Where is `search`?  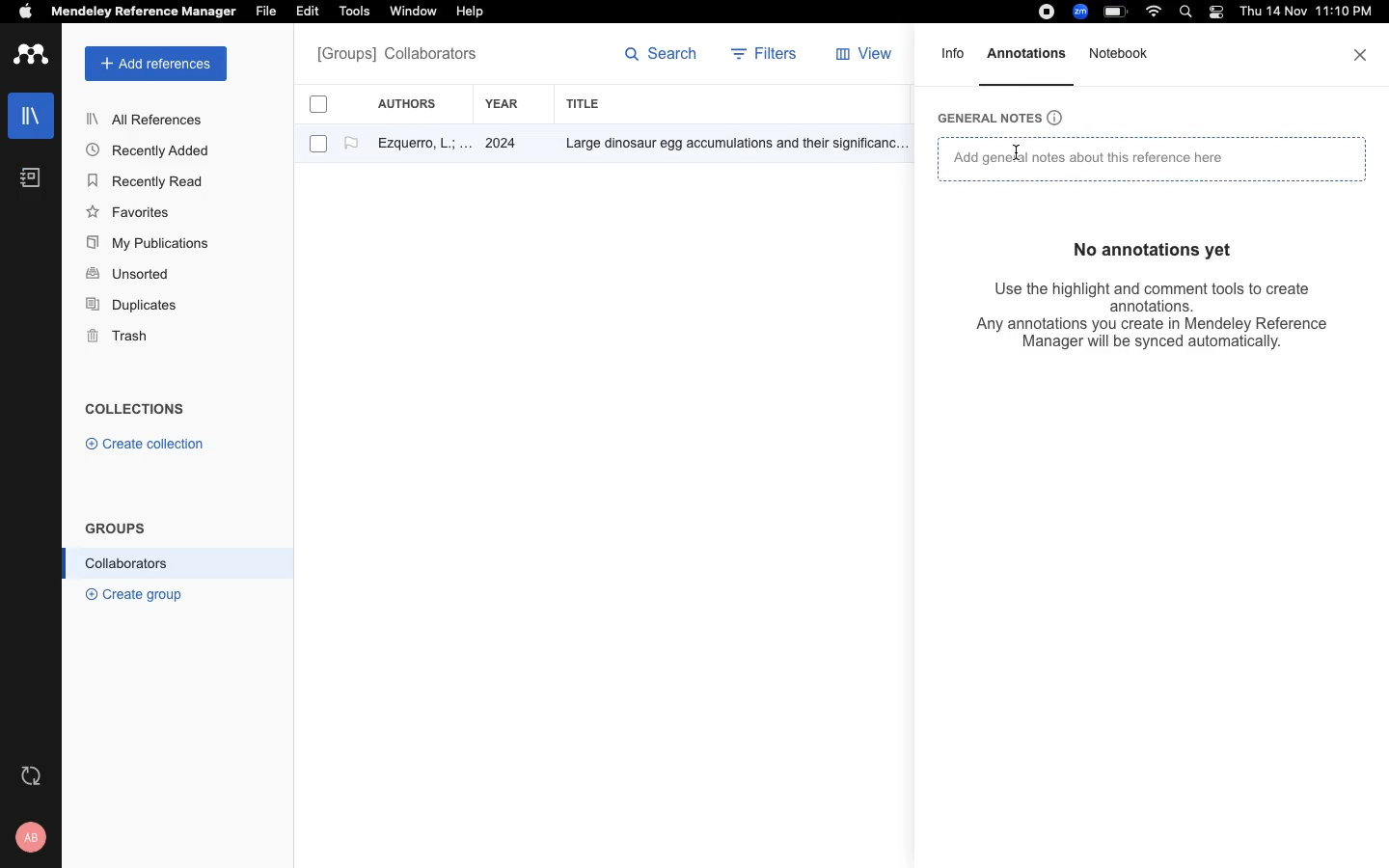
search is located at coordinates (662, 58).